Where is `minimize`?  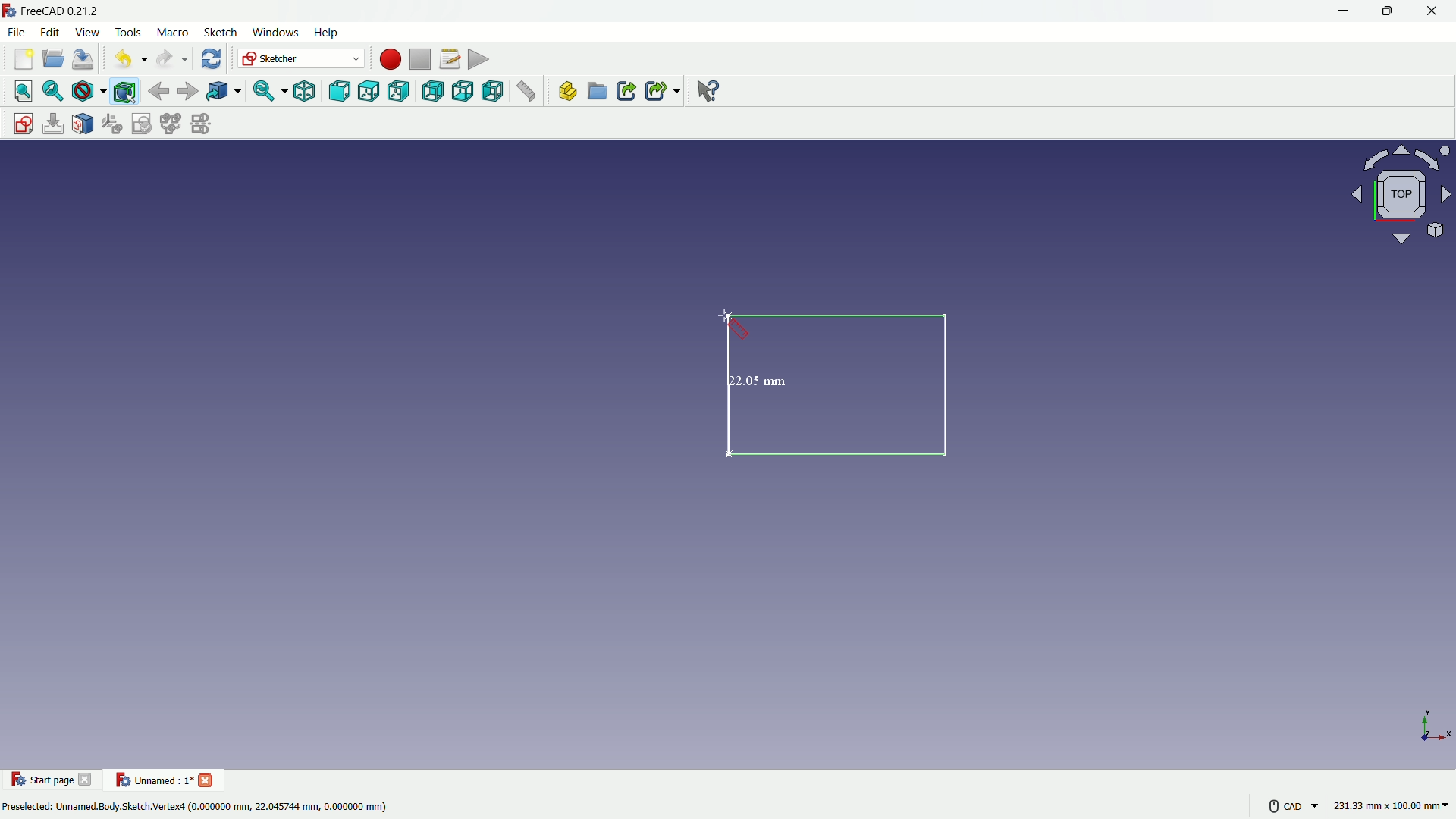
minimize is located at coordinates (1341, 11).